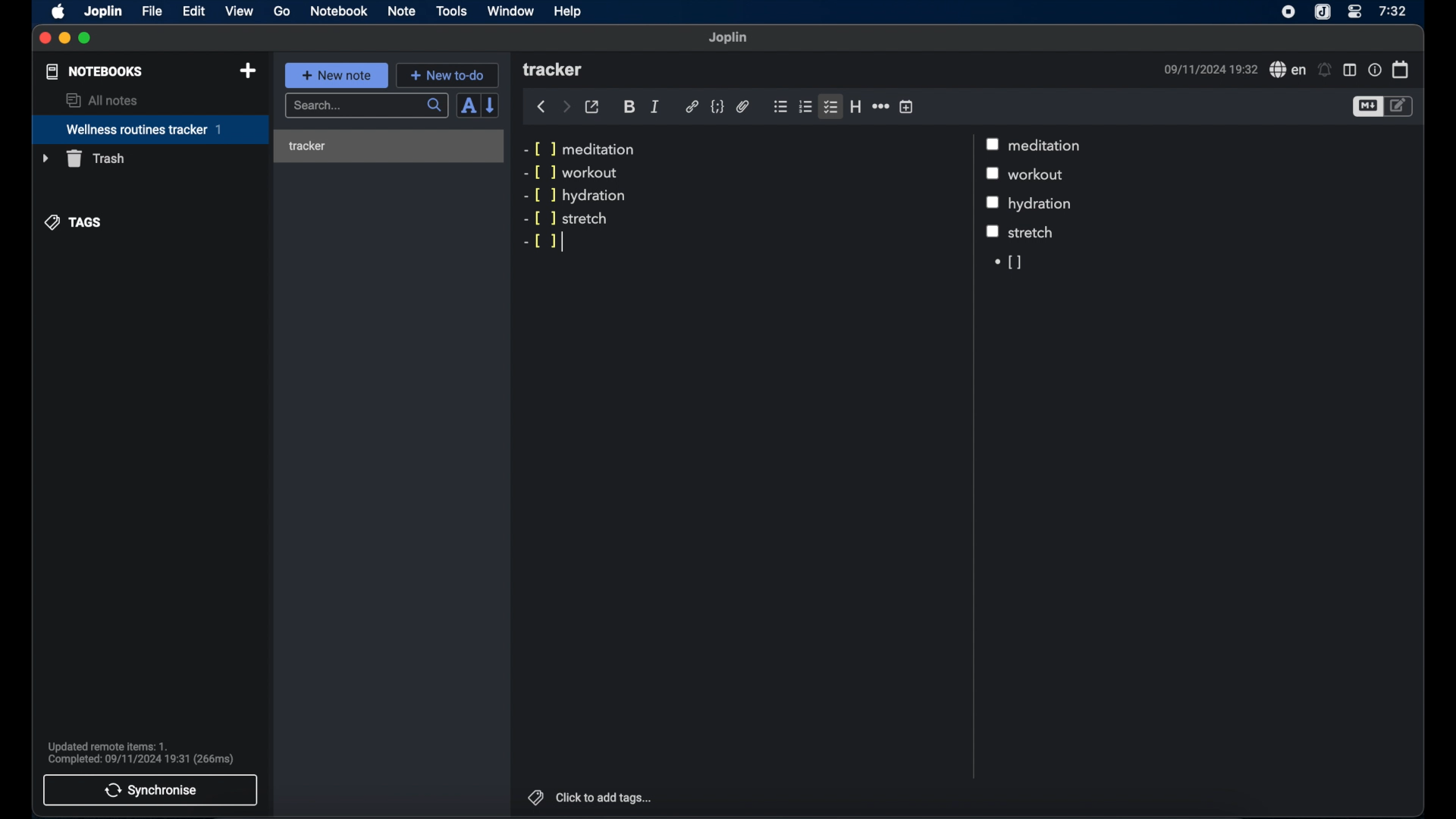 The image size is (1456, 819). I want to click on + new note, so click(337, 75).